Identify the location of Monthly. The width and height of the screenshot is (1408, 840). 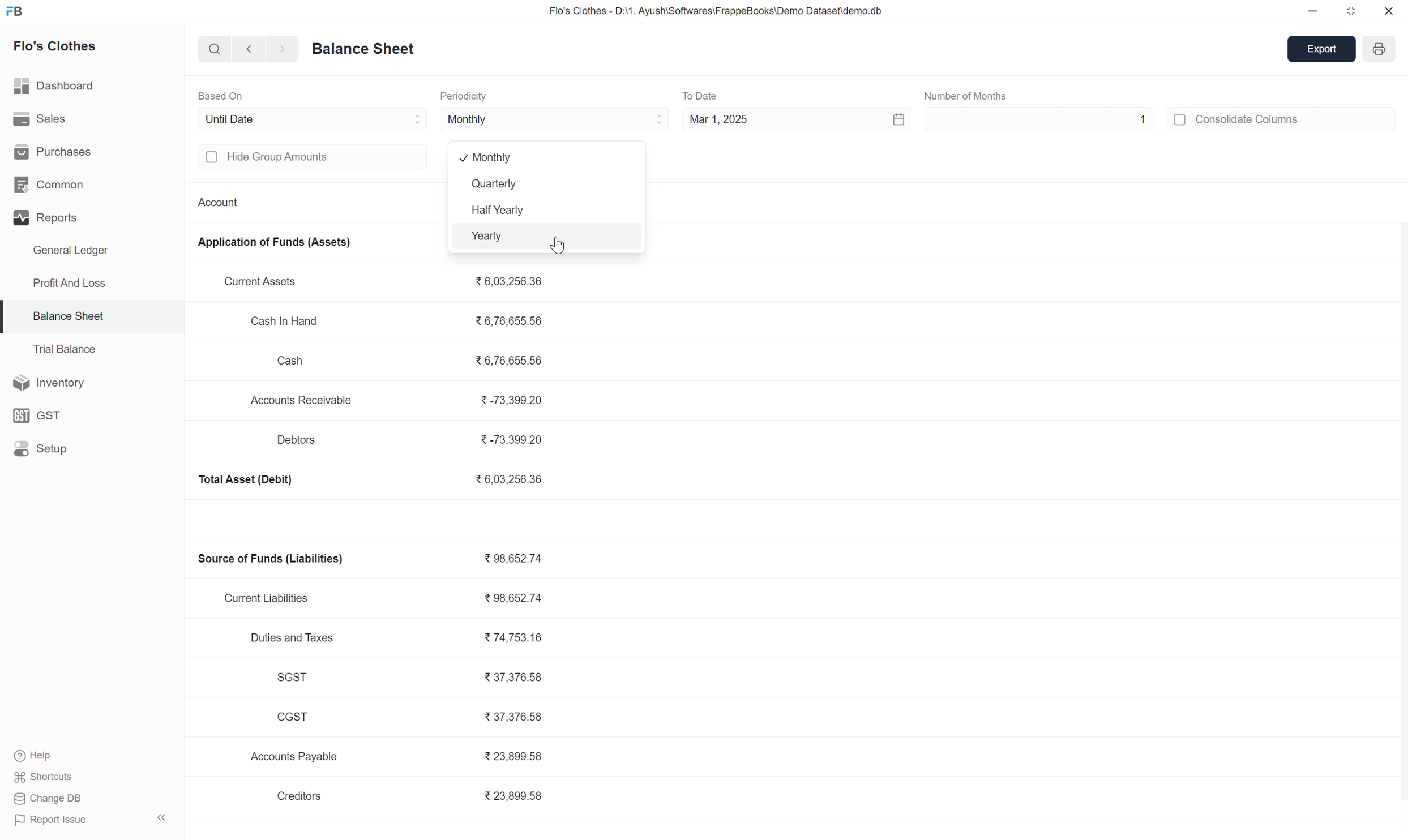
(550, 118).